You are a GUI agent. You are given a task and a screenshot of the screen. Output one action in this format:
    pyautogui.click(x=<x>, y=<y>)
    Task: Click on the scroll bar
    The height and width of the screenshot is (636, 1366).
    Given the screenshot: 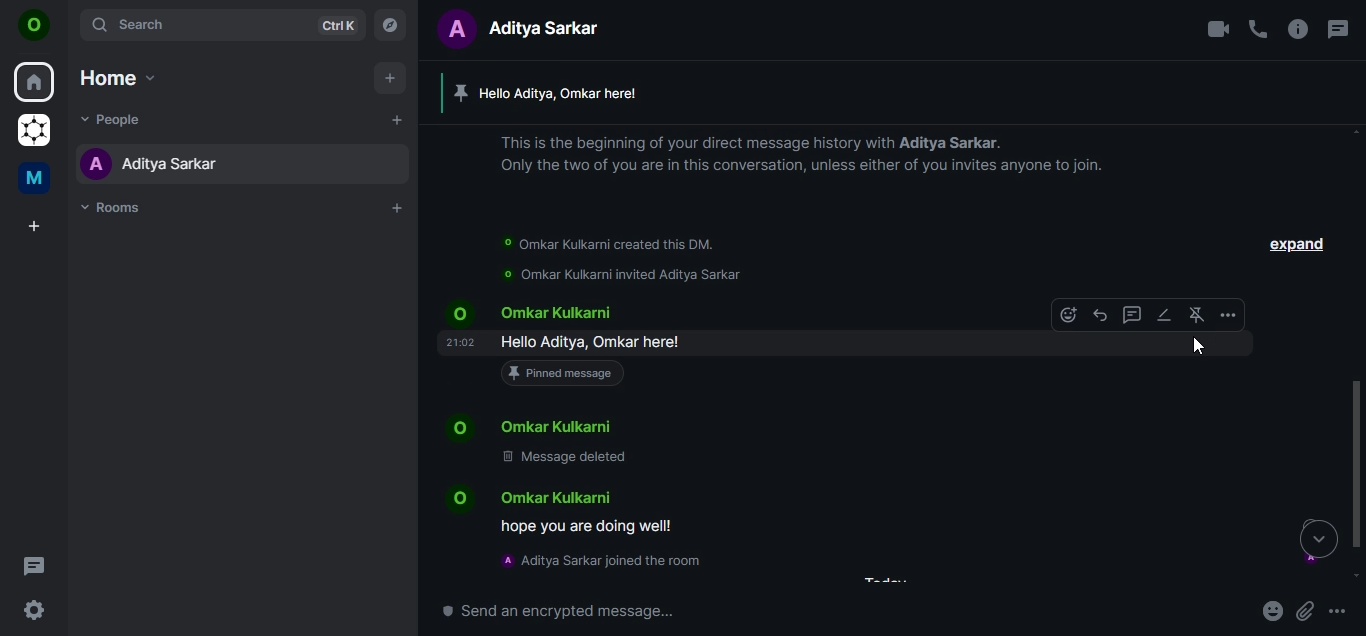 What is the action you would take?
    pyautogui.click(x=1355, y=463)
    